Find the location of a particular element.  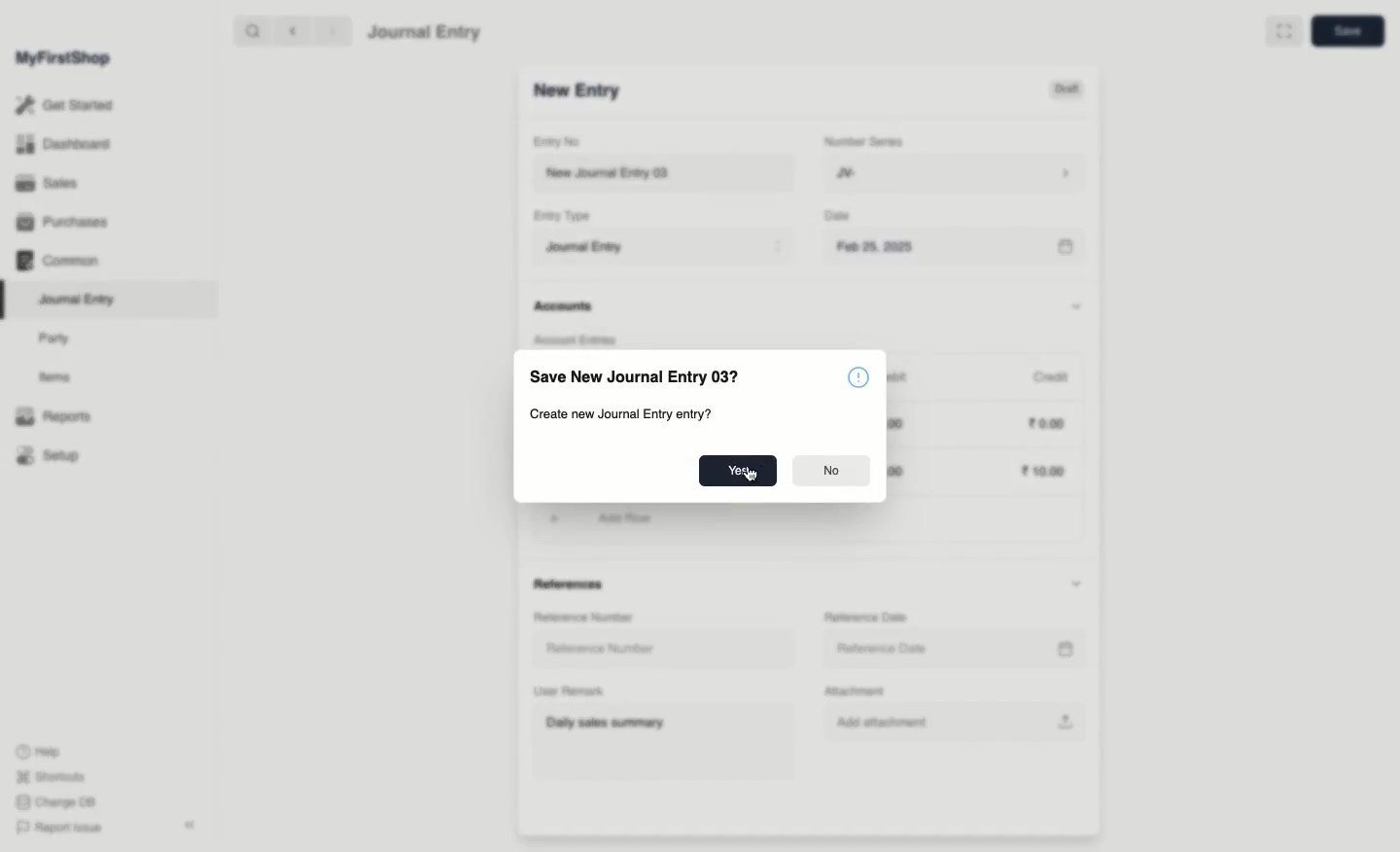

save is located at coordinates (1347, 32).